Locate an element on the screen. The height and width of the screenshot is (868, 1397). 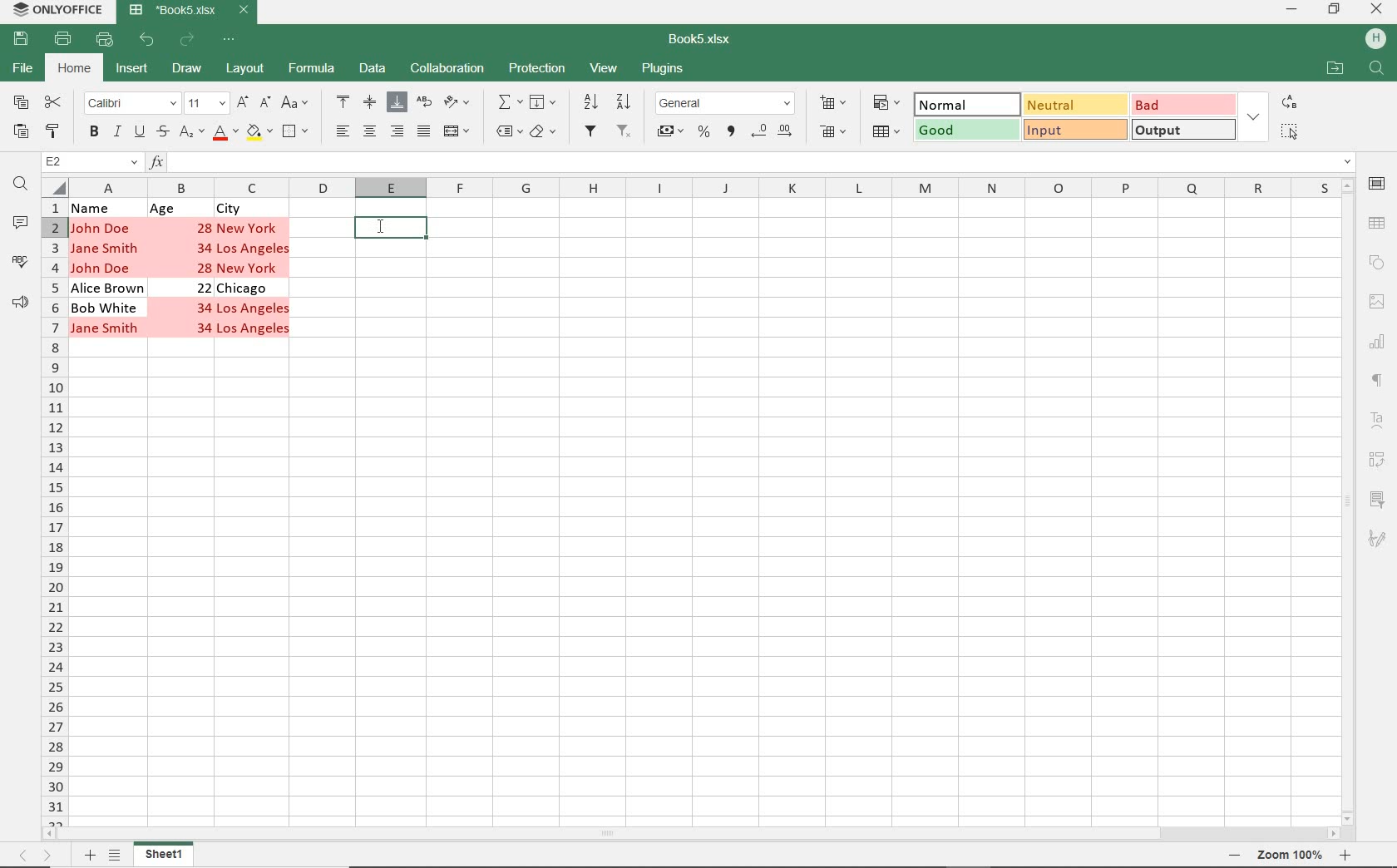
HOME is located at coordinates (73, 69).